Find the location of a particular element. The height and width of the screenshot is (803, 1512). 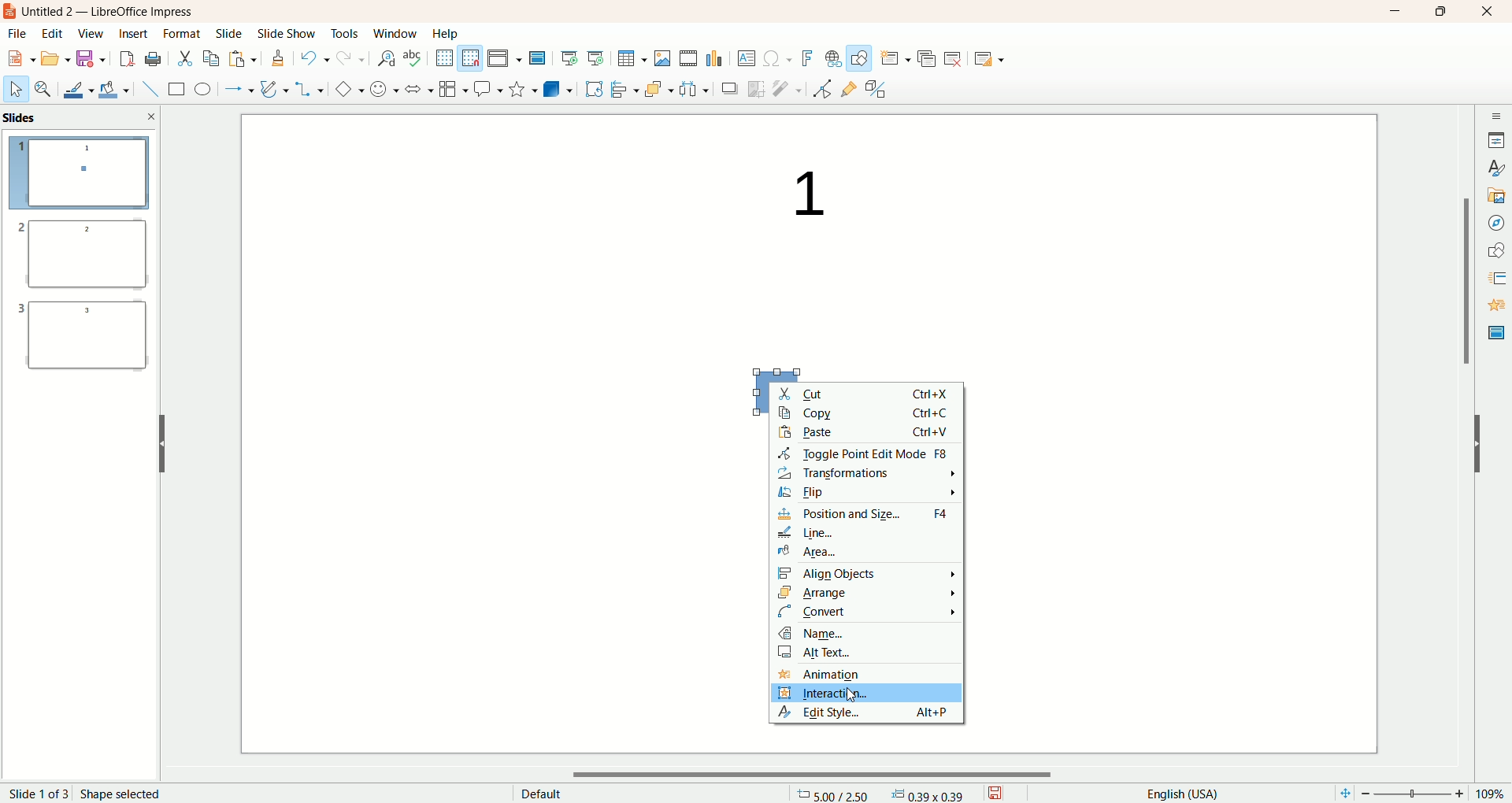

hide is located at coordinates (1485, 448).